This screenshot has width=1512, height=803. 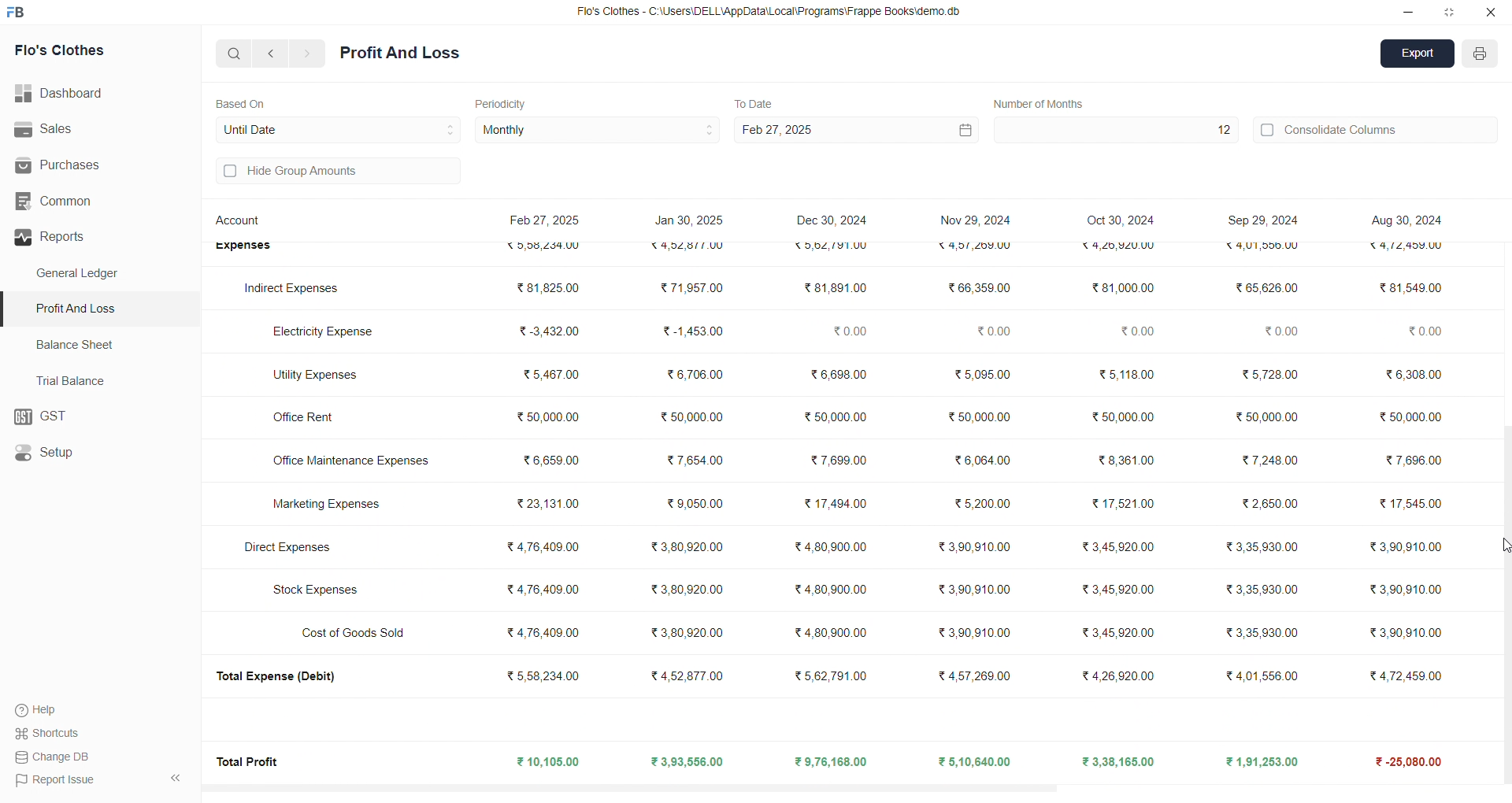 What do you see at coordinates (829, 246) in the screenshot?
I see `₹5,62,791.00` at bounding box center [829, 246].